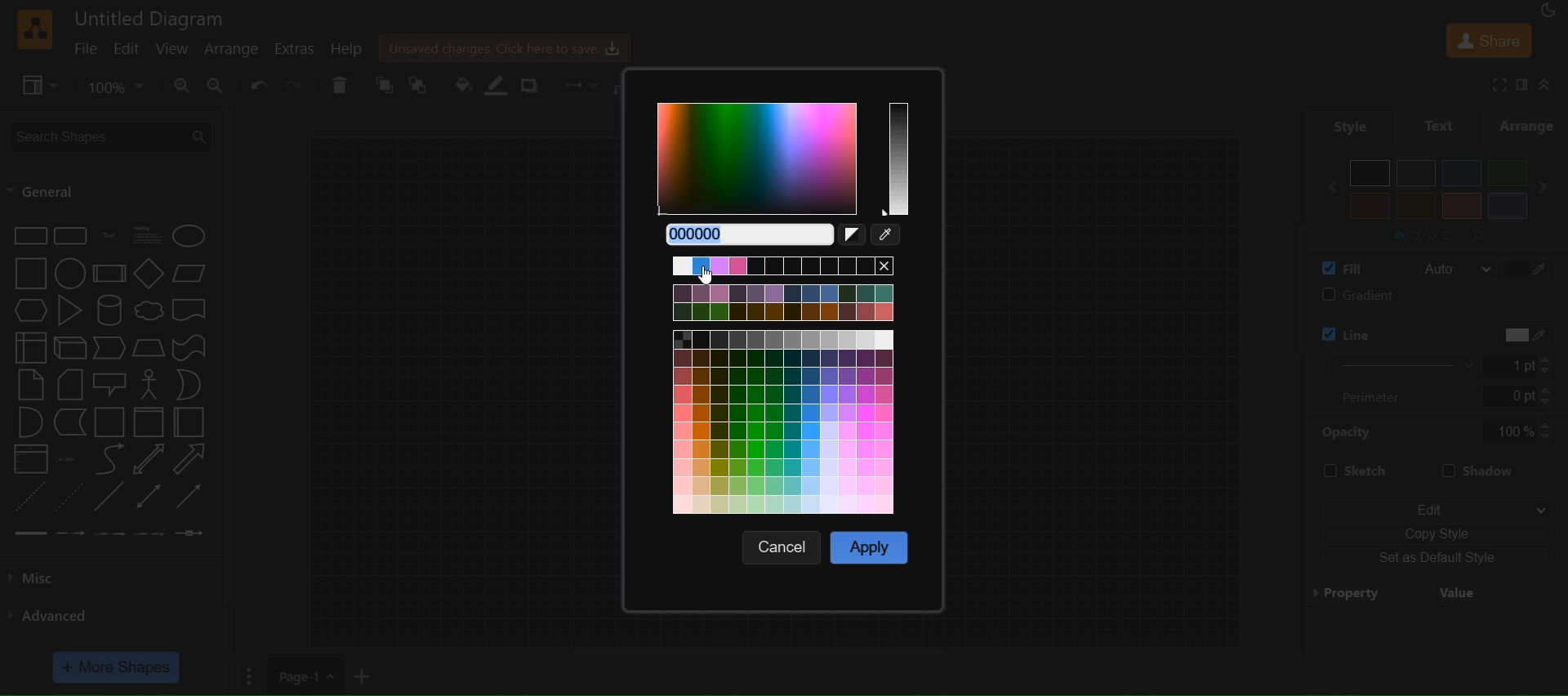  Describe the element at coordinates (42, 86) in the screenshot. I see `view` at that location.